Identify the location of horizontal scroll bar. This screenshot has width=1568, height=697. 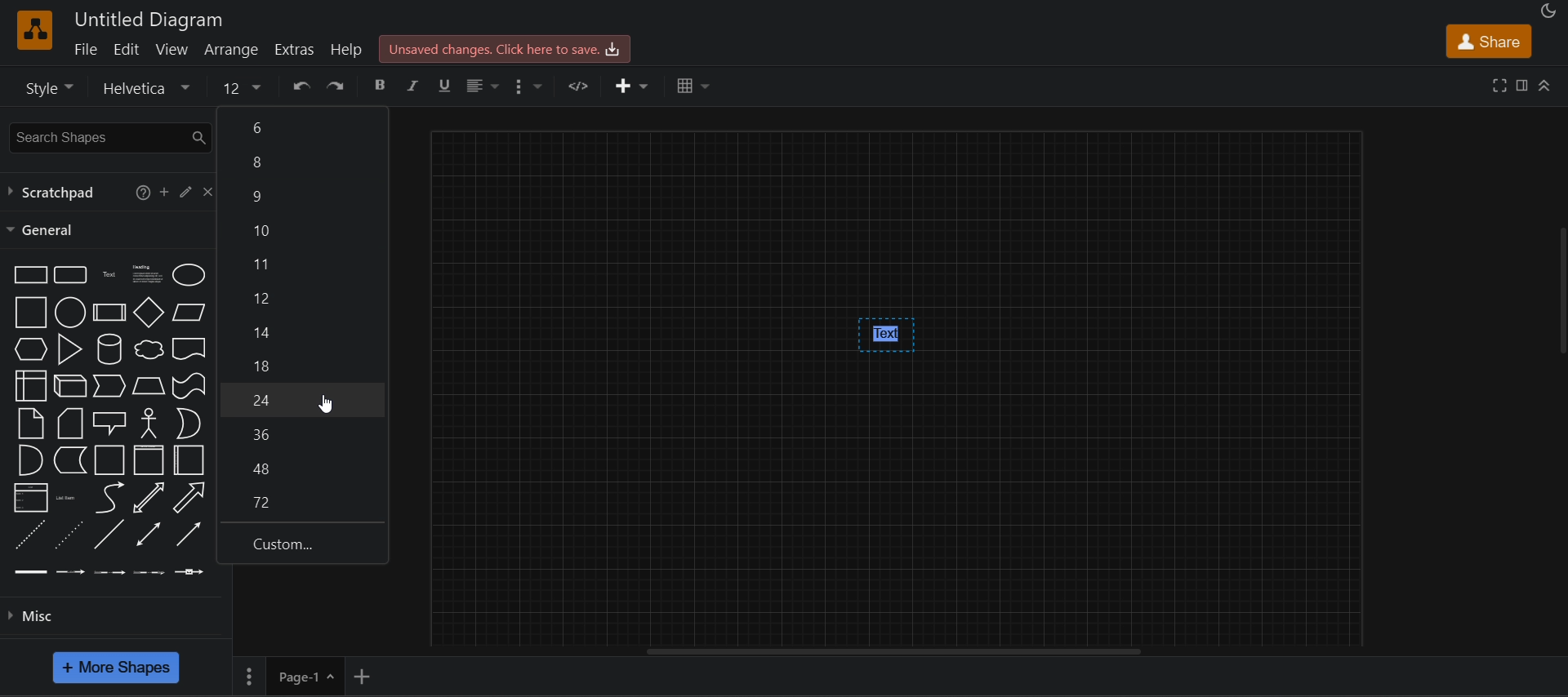
(892, 651).